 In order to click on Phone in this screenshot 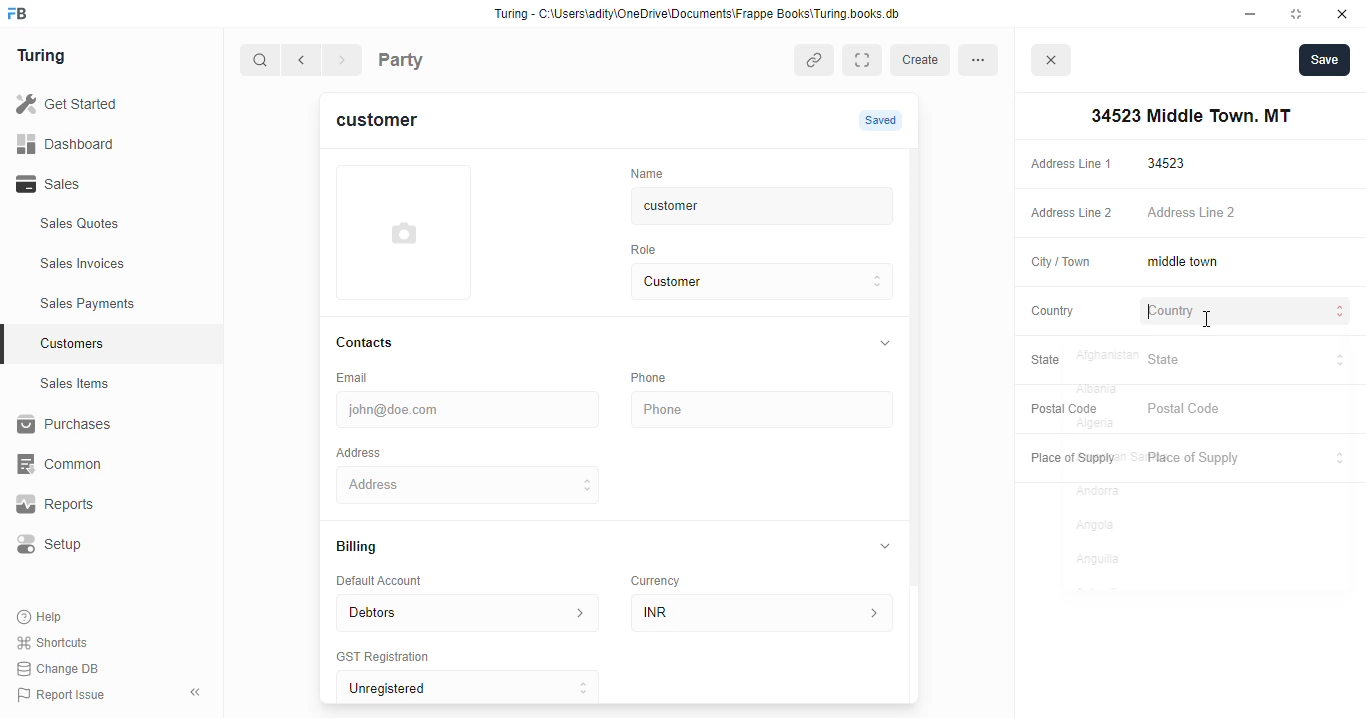, I will do `click(765, 410)`.